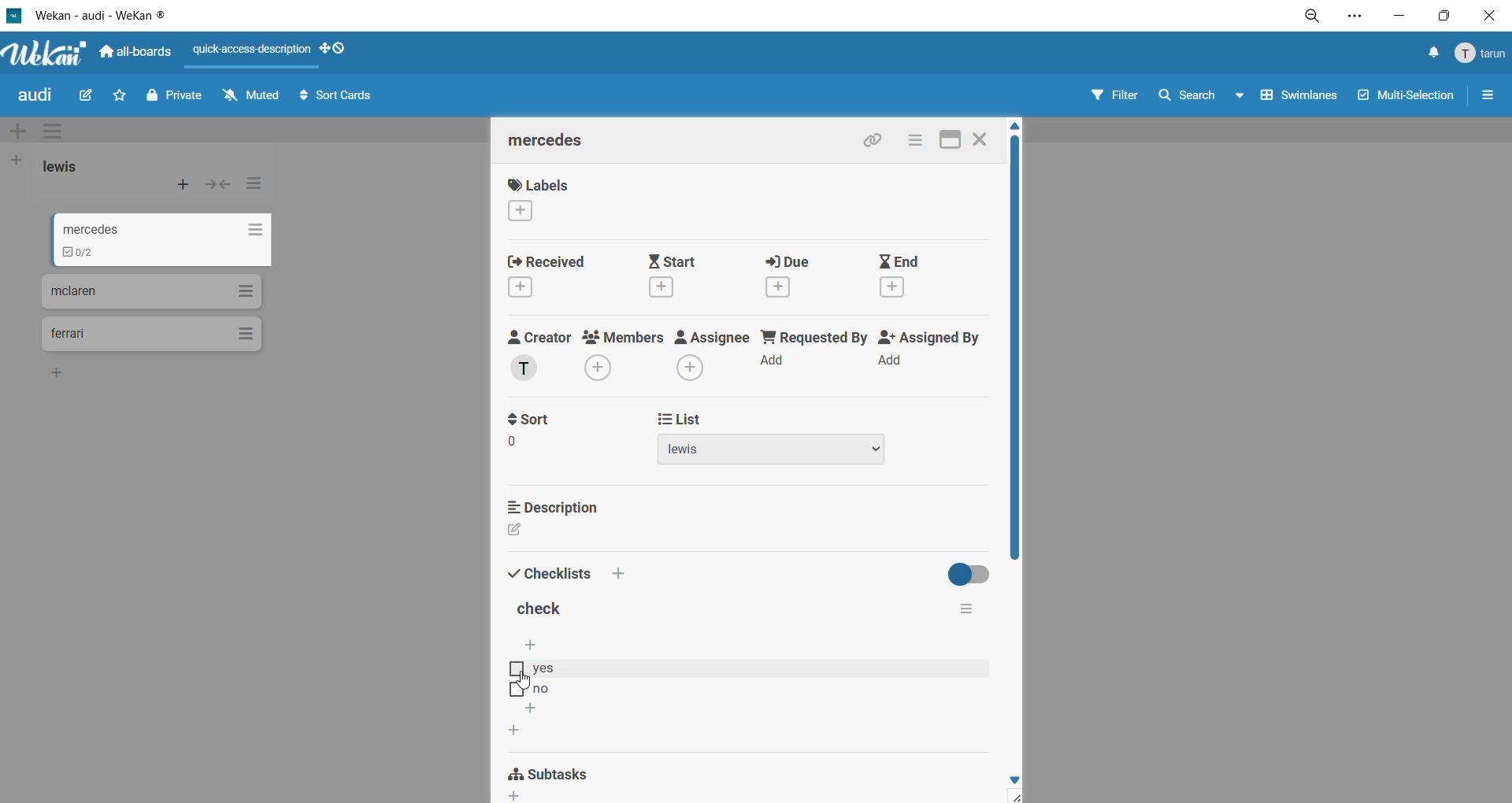 The height and width of the screenshot is (803, 1512). I want to click on sort cards, so click(336, 97).